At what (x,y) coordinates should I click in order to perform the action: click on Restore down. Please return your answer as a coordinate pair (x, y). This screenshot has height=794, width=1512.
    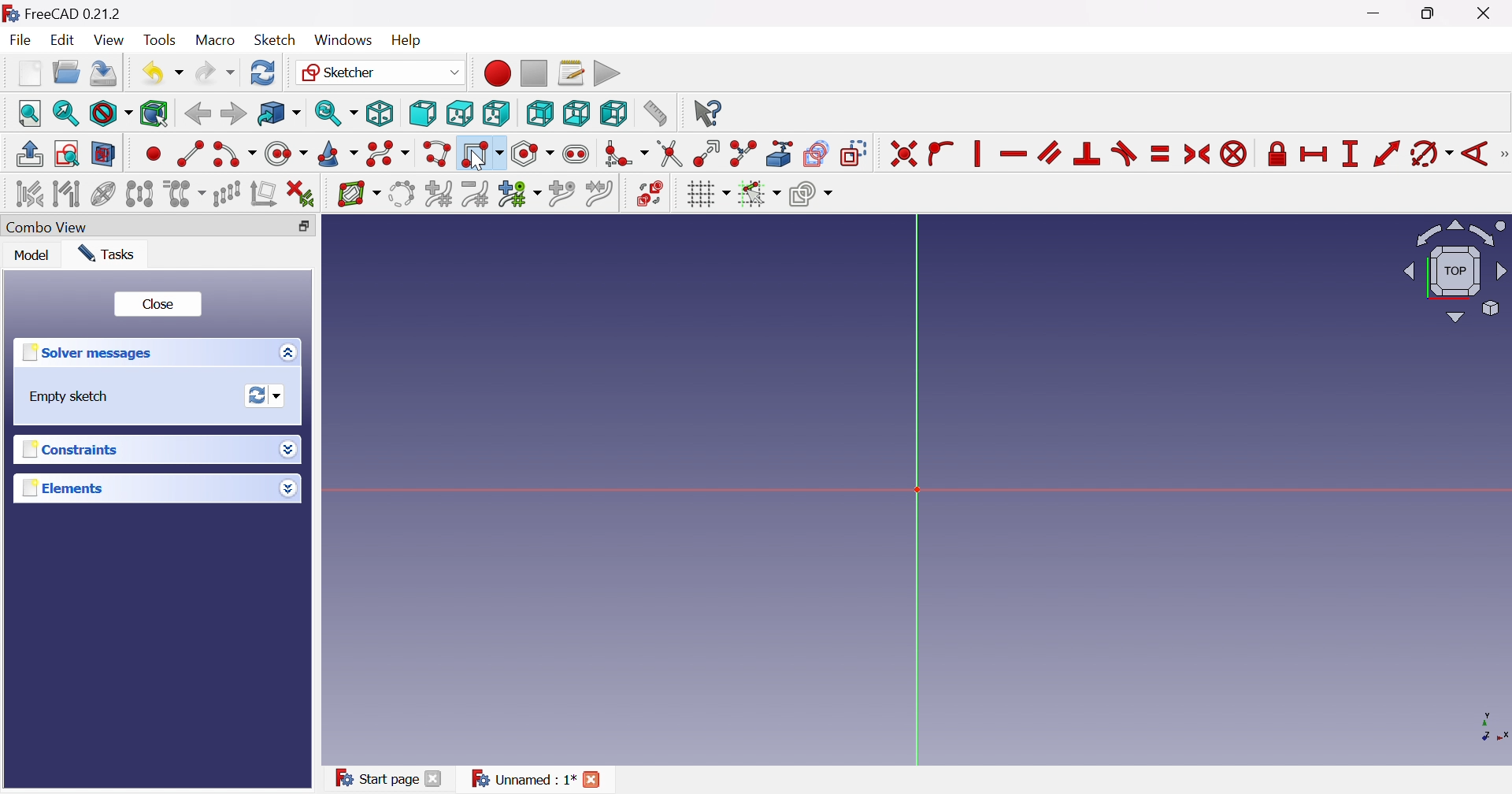
    Looking at the image, I should click on (304, 227).